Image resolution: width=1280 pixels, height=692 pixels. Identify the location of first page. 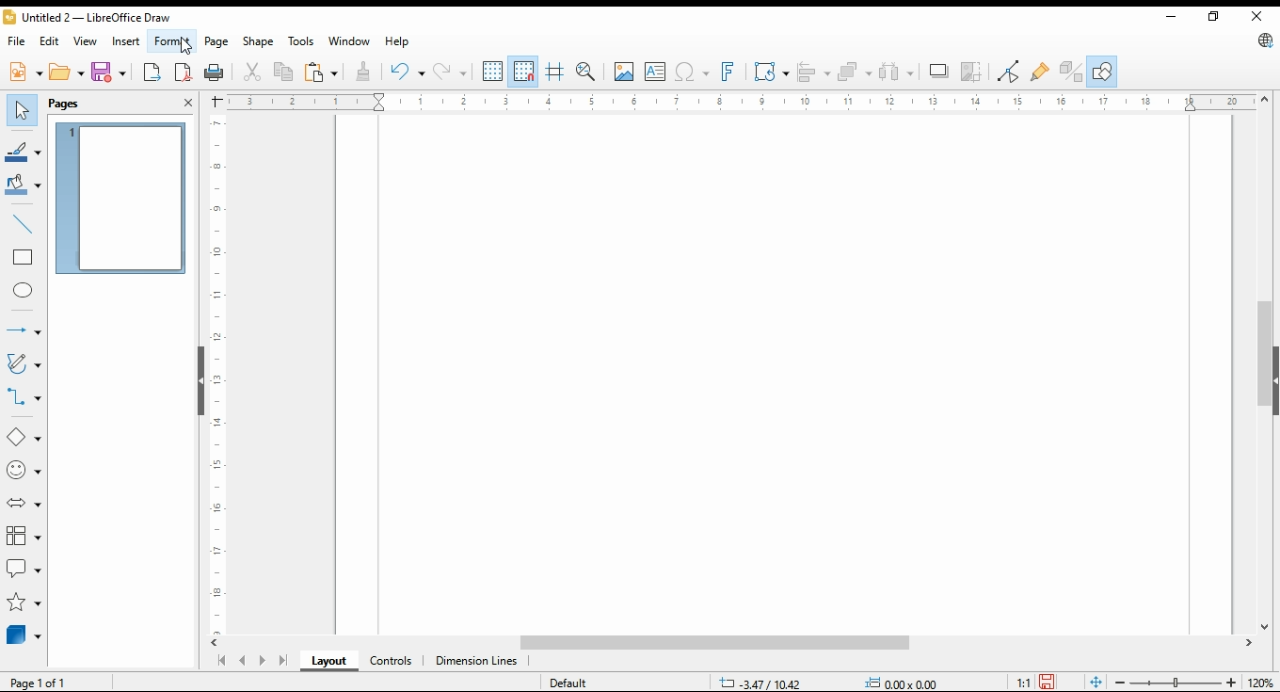
(220, 661).